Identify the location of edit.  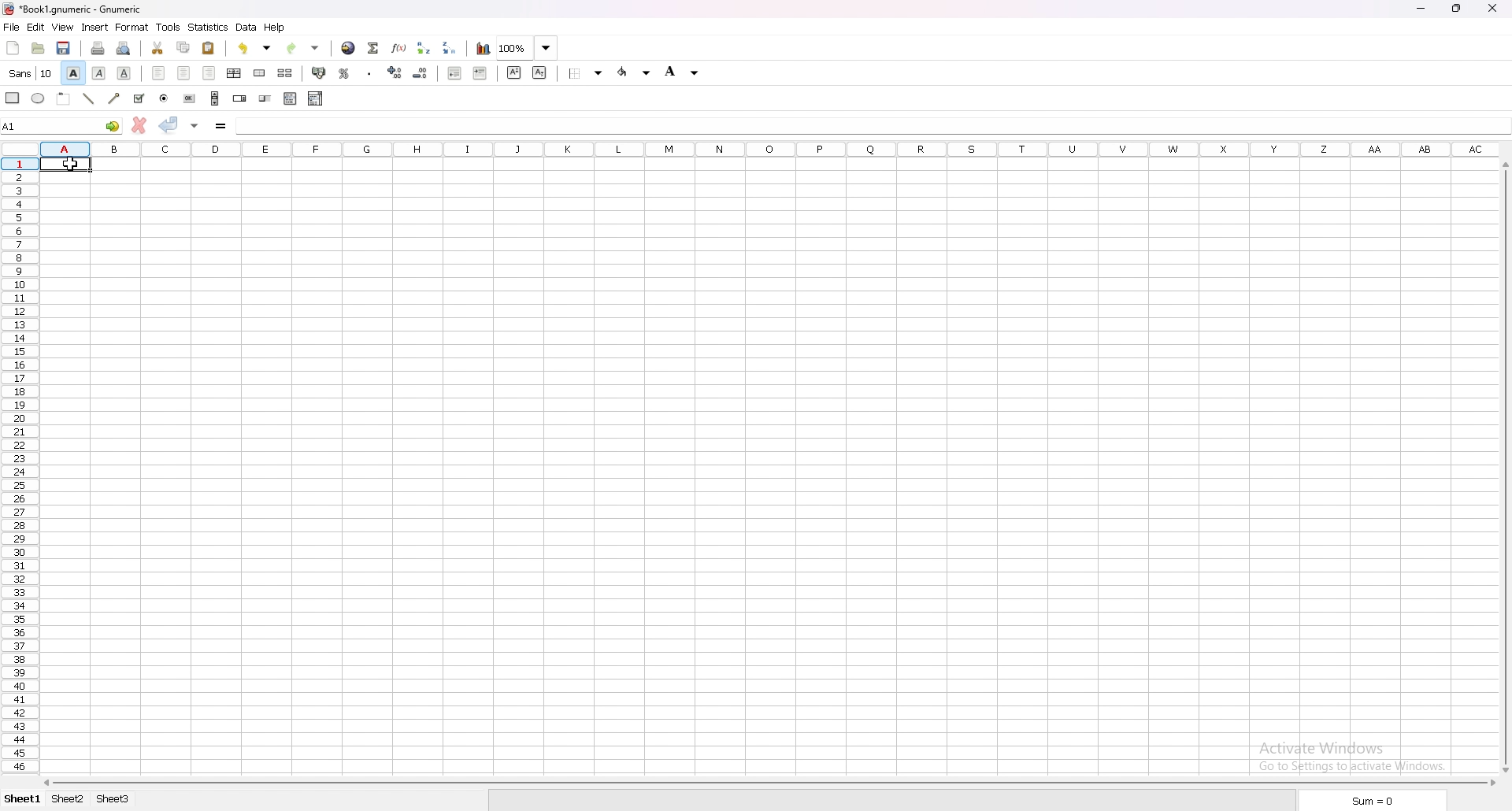
(37, 27).